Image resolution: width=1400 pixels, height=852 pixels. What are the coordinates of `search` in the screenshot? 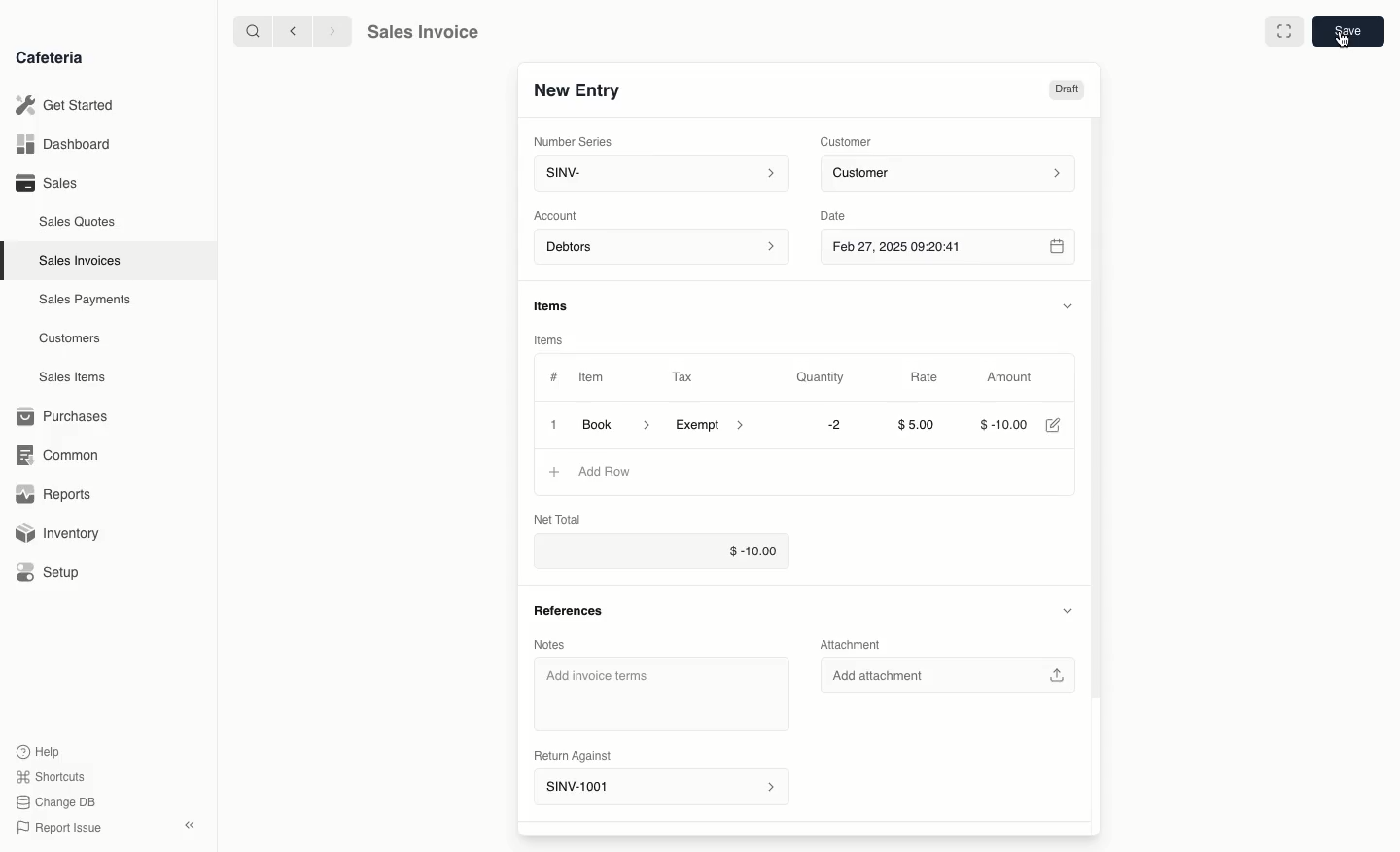 It's located at (250, 30).